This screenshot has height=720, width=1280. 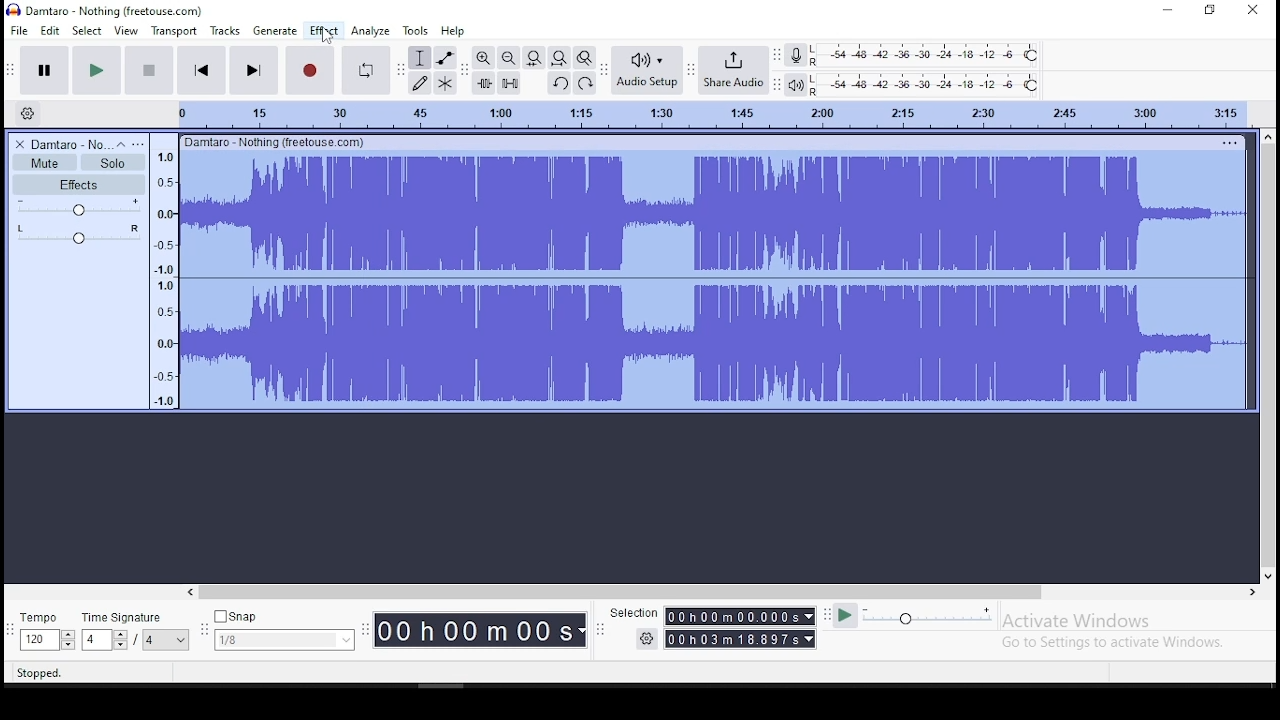 What do you see at coordinates (78, 184) in the screenshot?
I see `effects` at bounding box center [78, 184].